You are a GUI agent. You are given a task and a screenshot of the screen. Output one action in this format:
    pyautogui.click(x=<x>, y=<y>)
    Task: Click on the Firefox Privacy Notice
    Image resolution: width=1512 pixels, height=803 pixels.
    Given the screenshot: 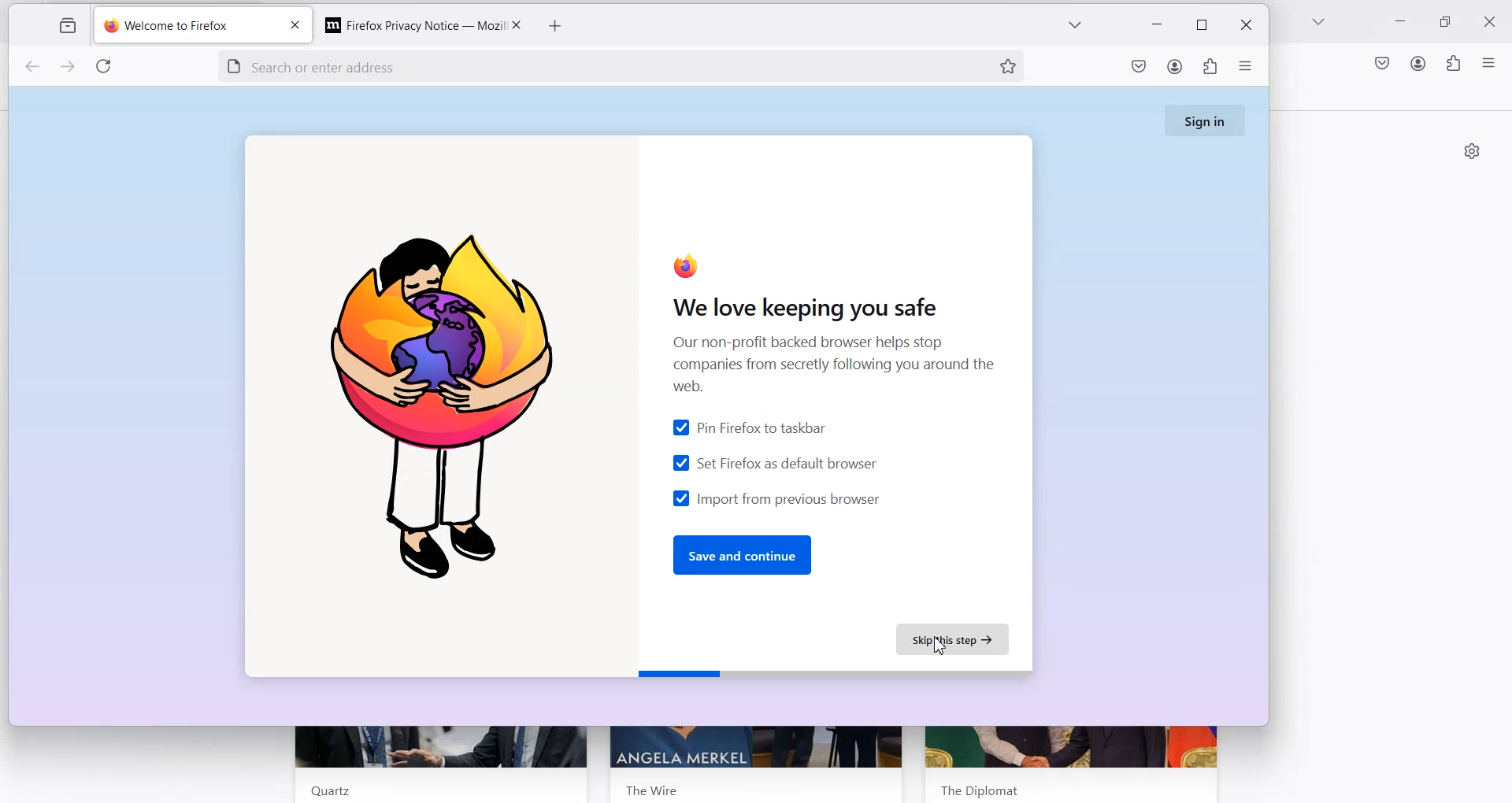 What is the action you would take?
    pyautogui.click(x=406, y=24)
    